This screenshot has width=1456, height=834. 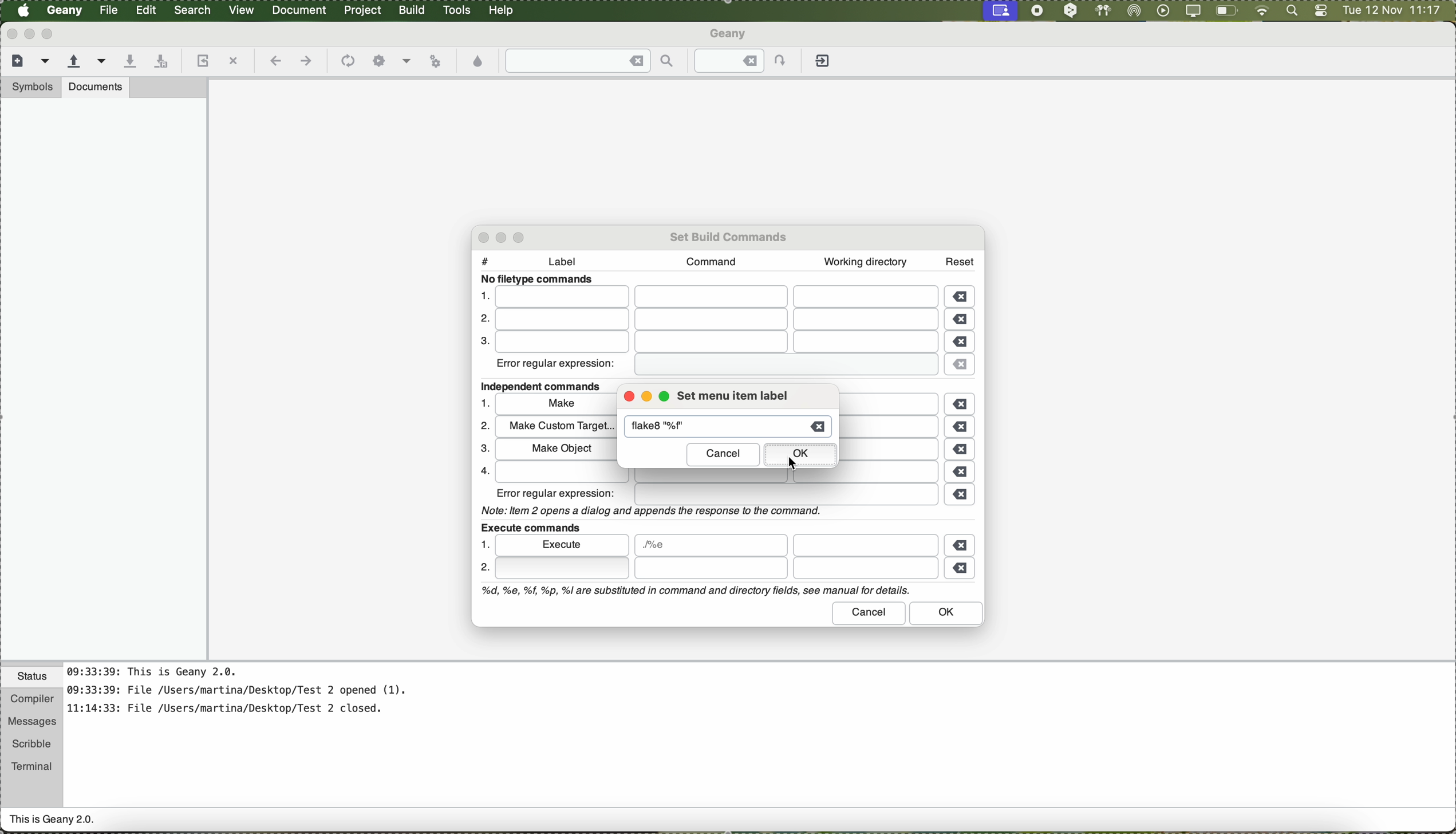 I want to click on click, so click(x=561, y=568).